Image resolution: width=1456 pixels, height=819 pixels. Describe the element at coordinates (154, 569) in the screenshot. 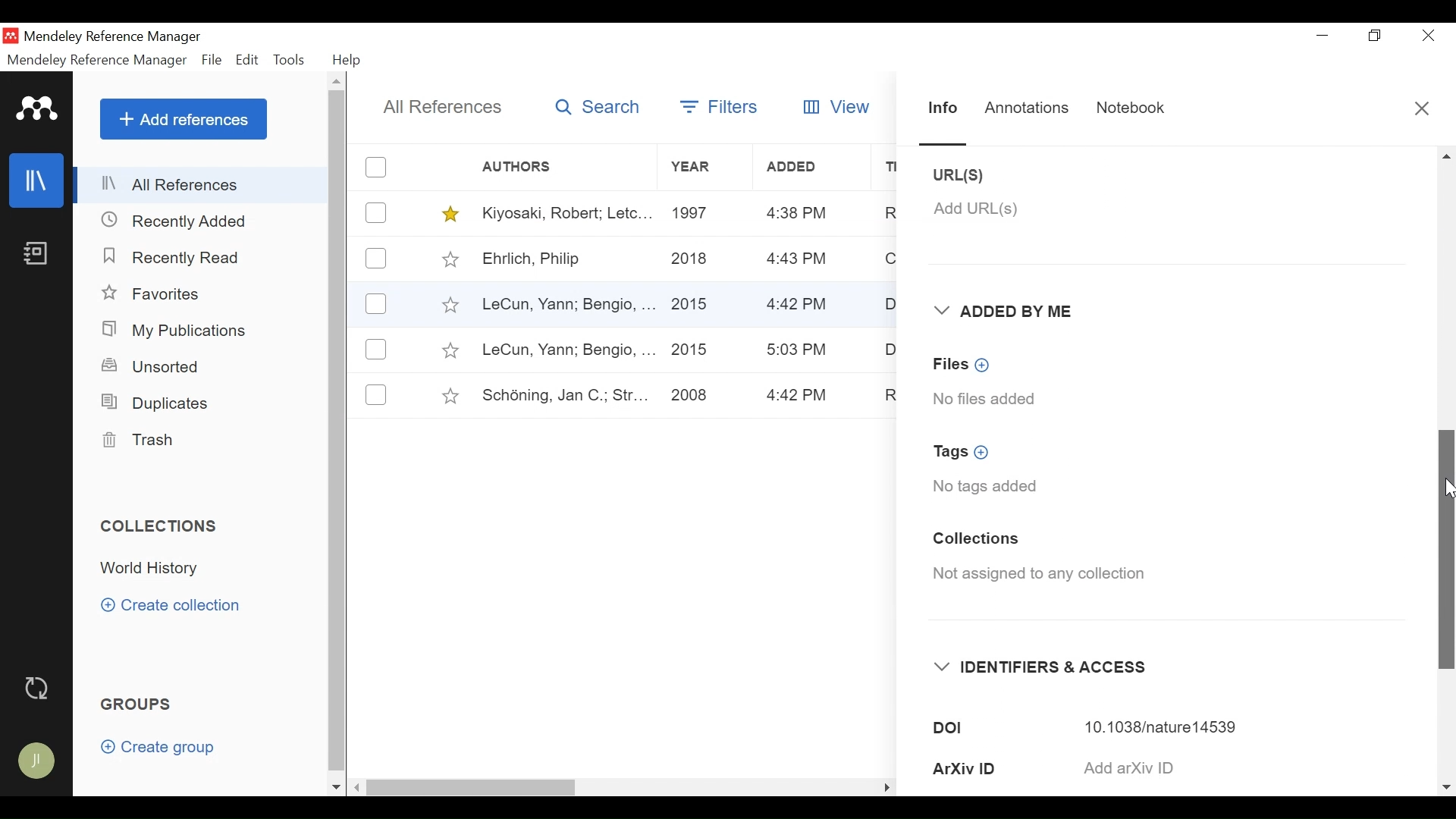

I see `Collection` at that location.